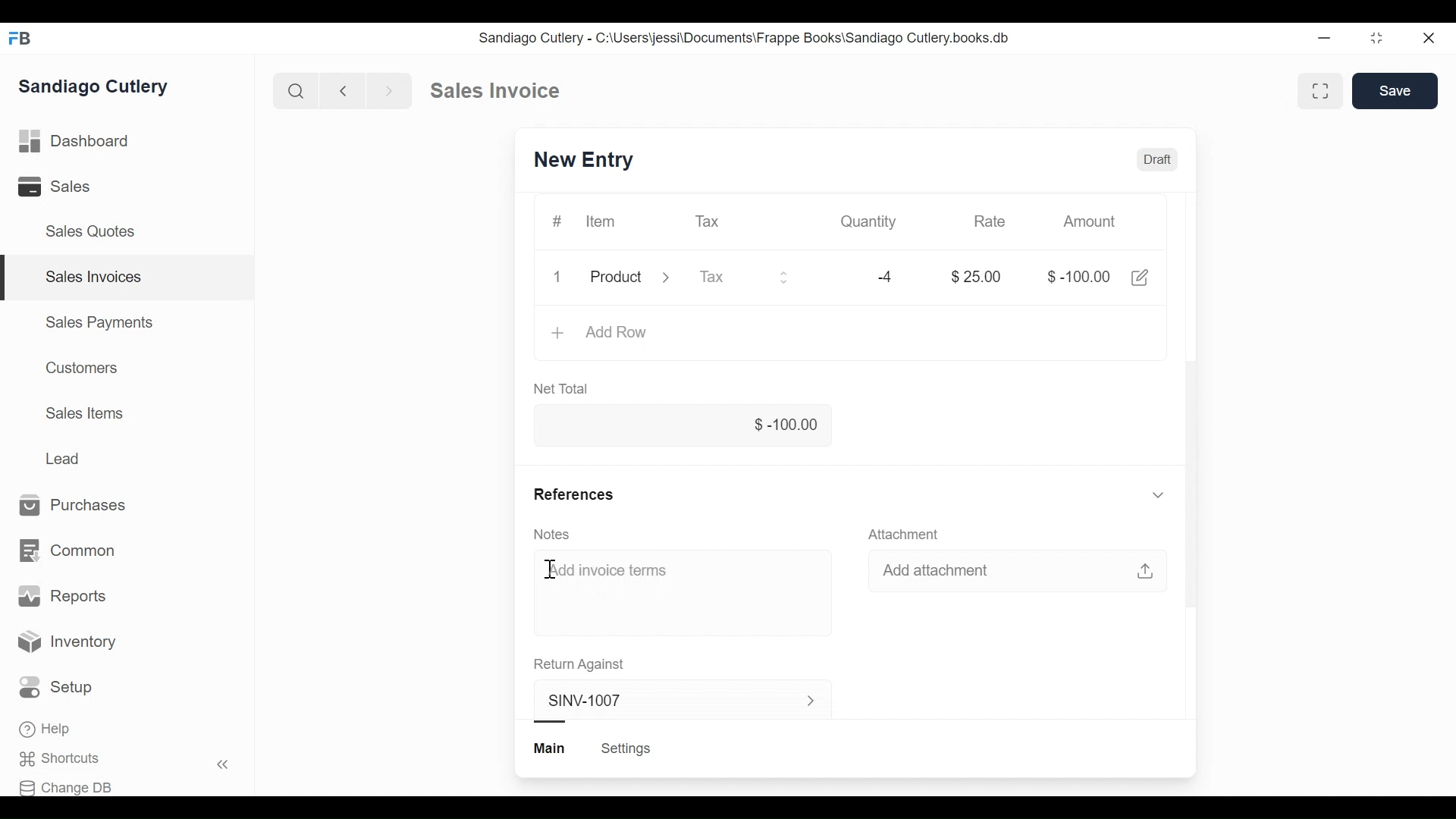 Image resolution: width=1456 pixels, height=819 pixels. Describe the element at coordinates (224, 764) in the screenshot. I see `Hide sidebar` at that location.